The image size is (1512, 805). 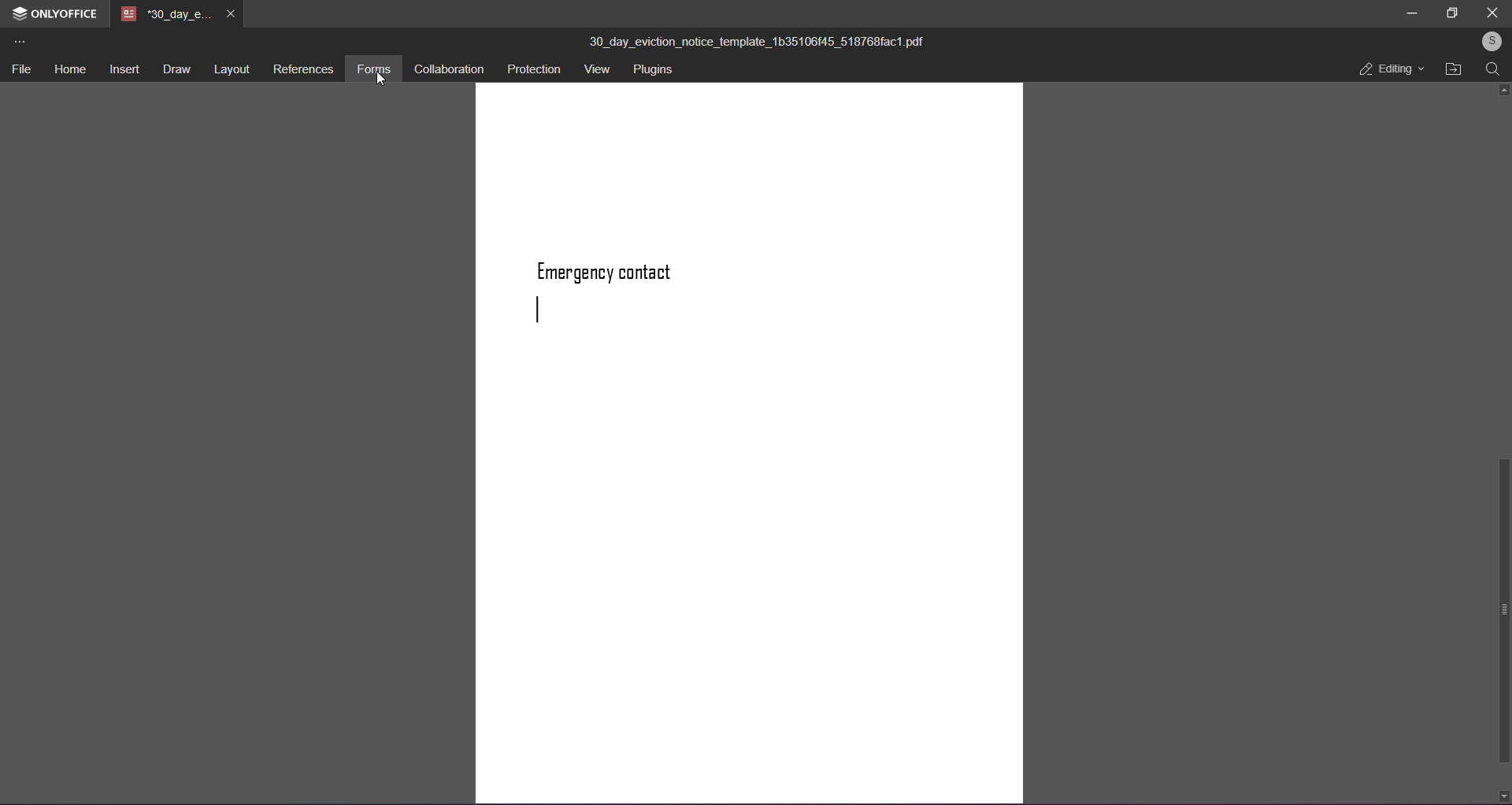 I want to click on tab name, so click(x=165, y=14).